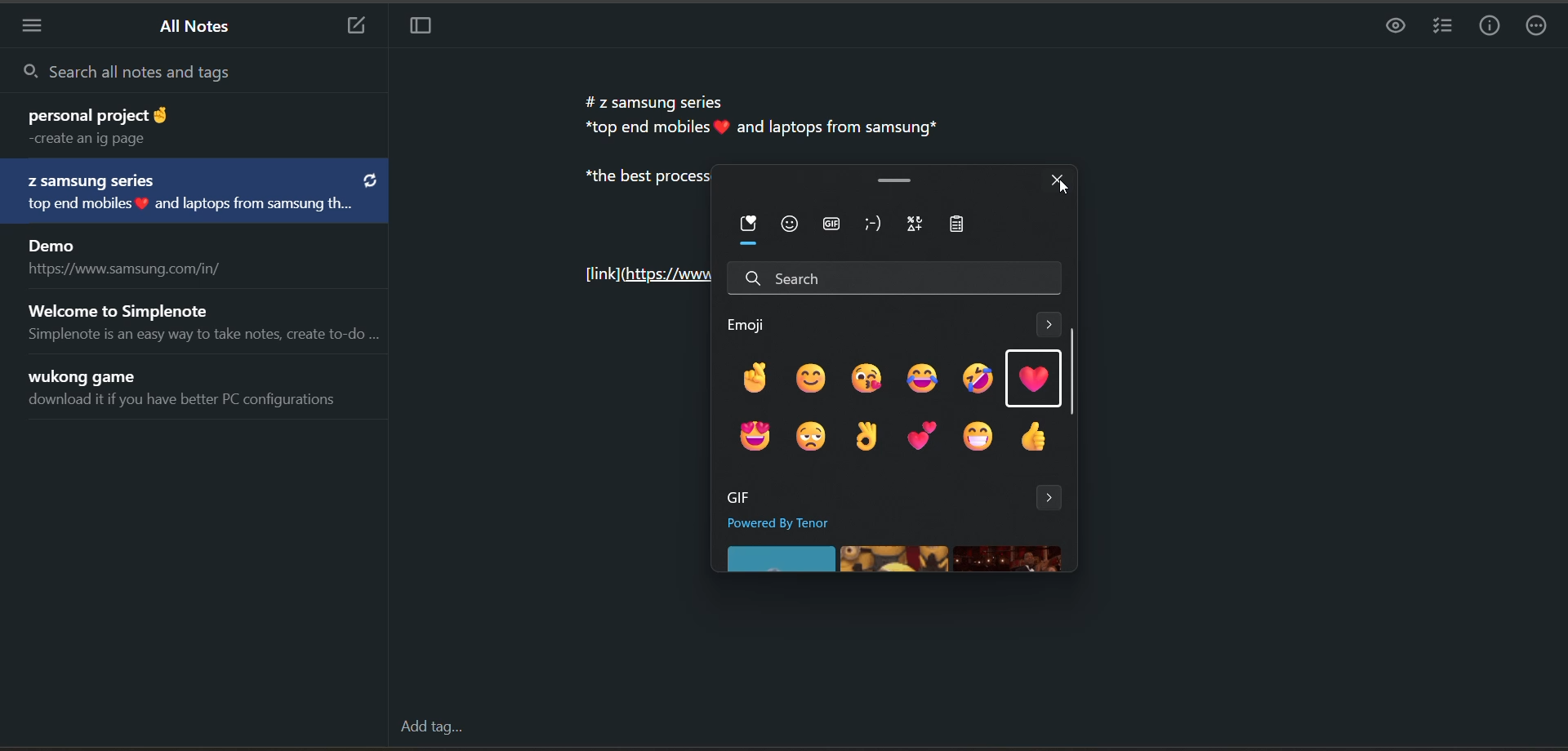 The height and width of the screenshot is (751, 1568). I want to click on menu, so click(38, 24).